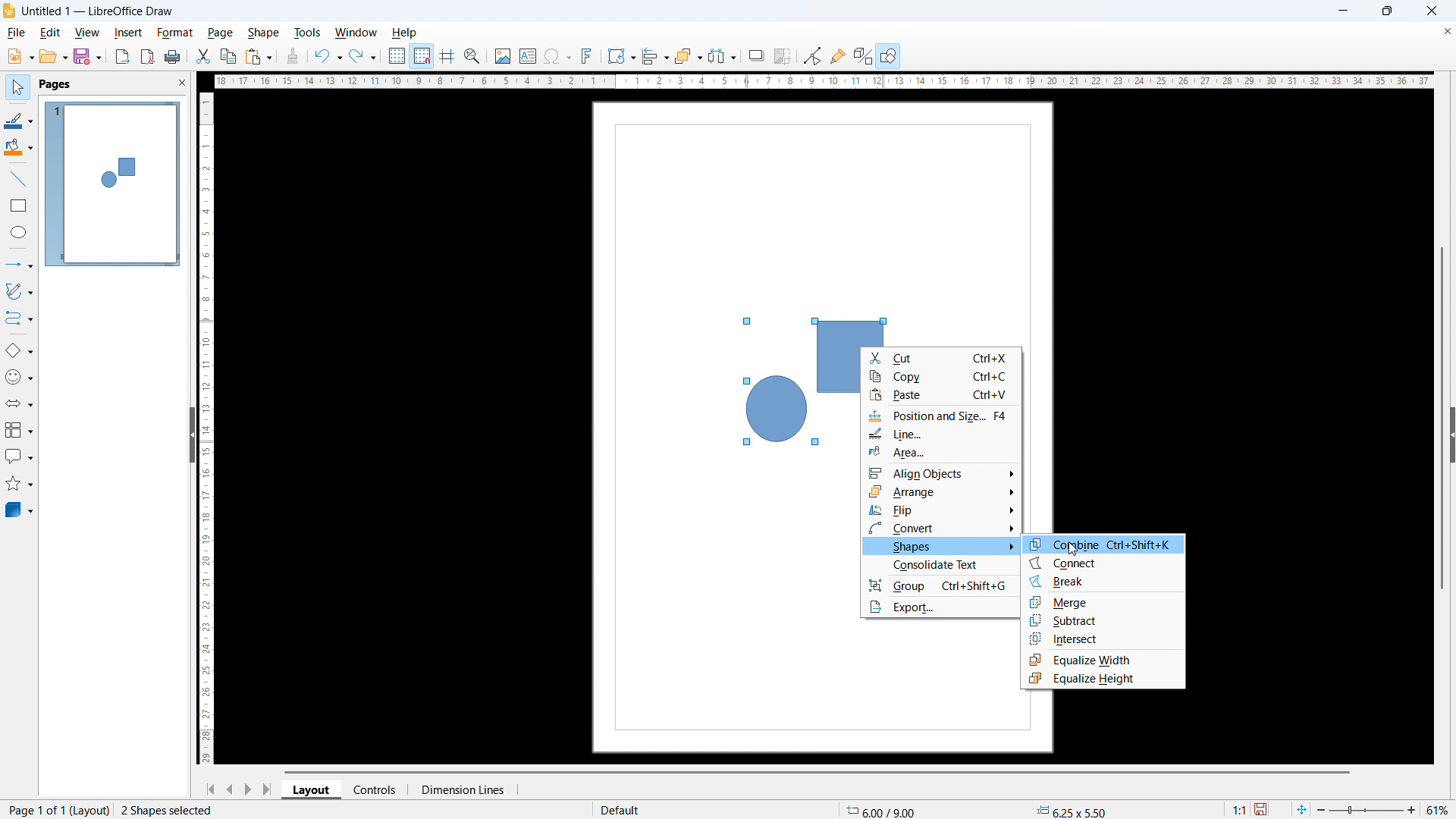 The width and height of the screenshot is (1456, 819). Describe the element at coordinates (20, 350) in the screenshot. I see `basic shapes` at that location.